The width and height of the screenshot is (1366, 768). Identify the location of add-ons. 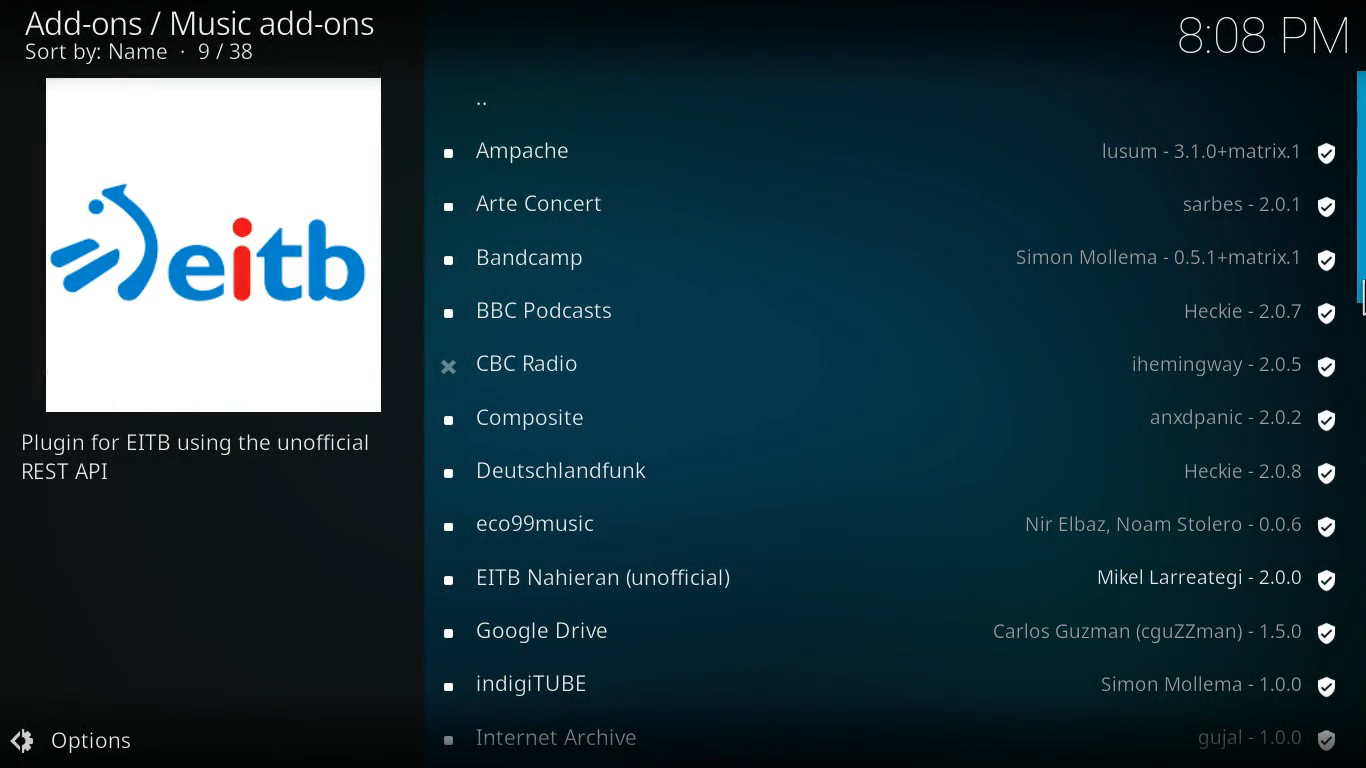
(536, 205).